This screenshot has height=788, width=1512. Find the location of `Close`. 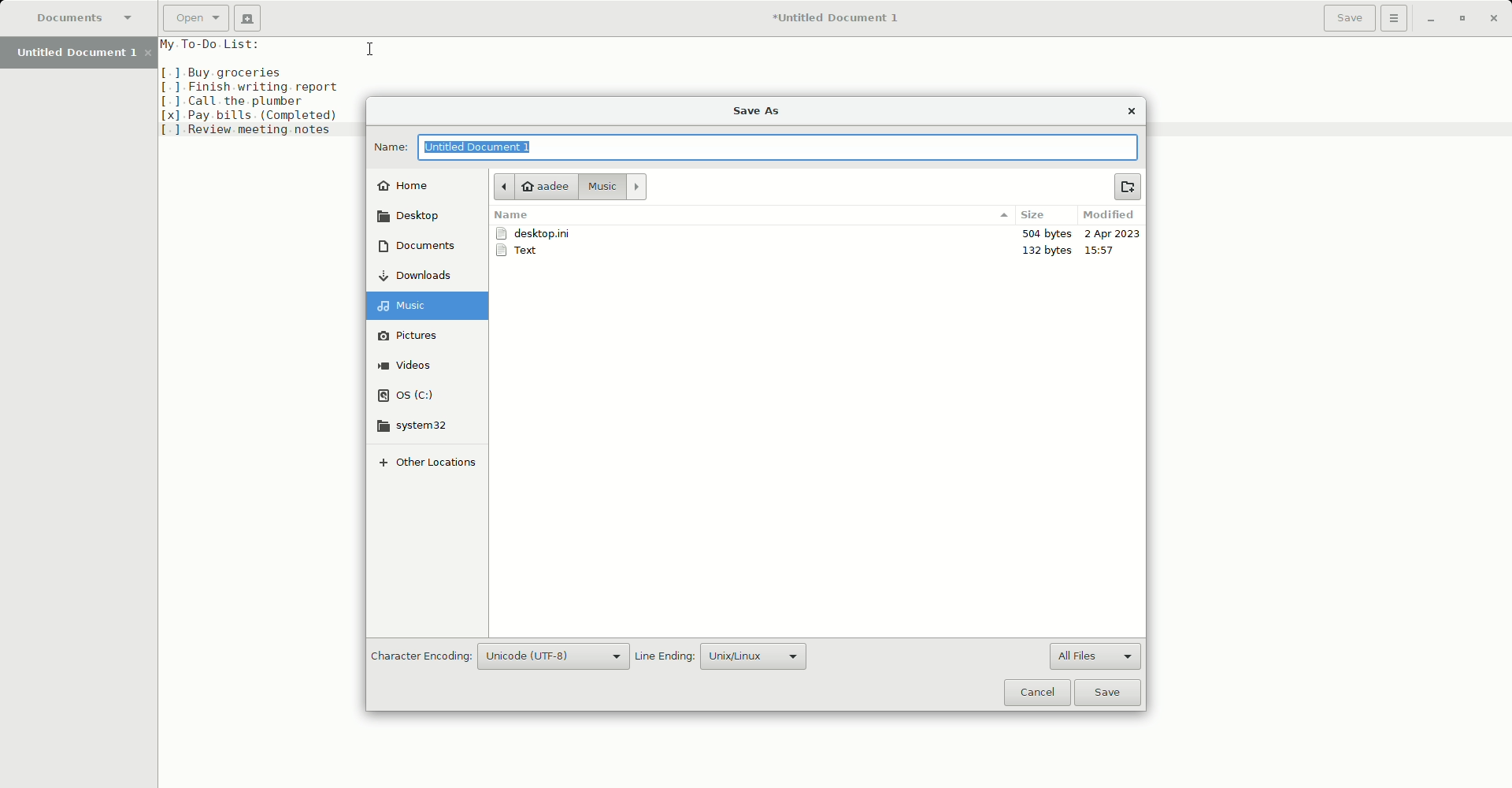

Close is located at coordinates (1494, 18).